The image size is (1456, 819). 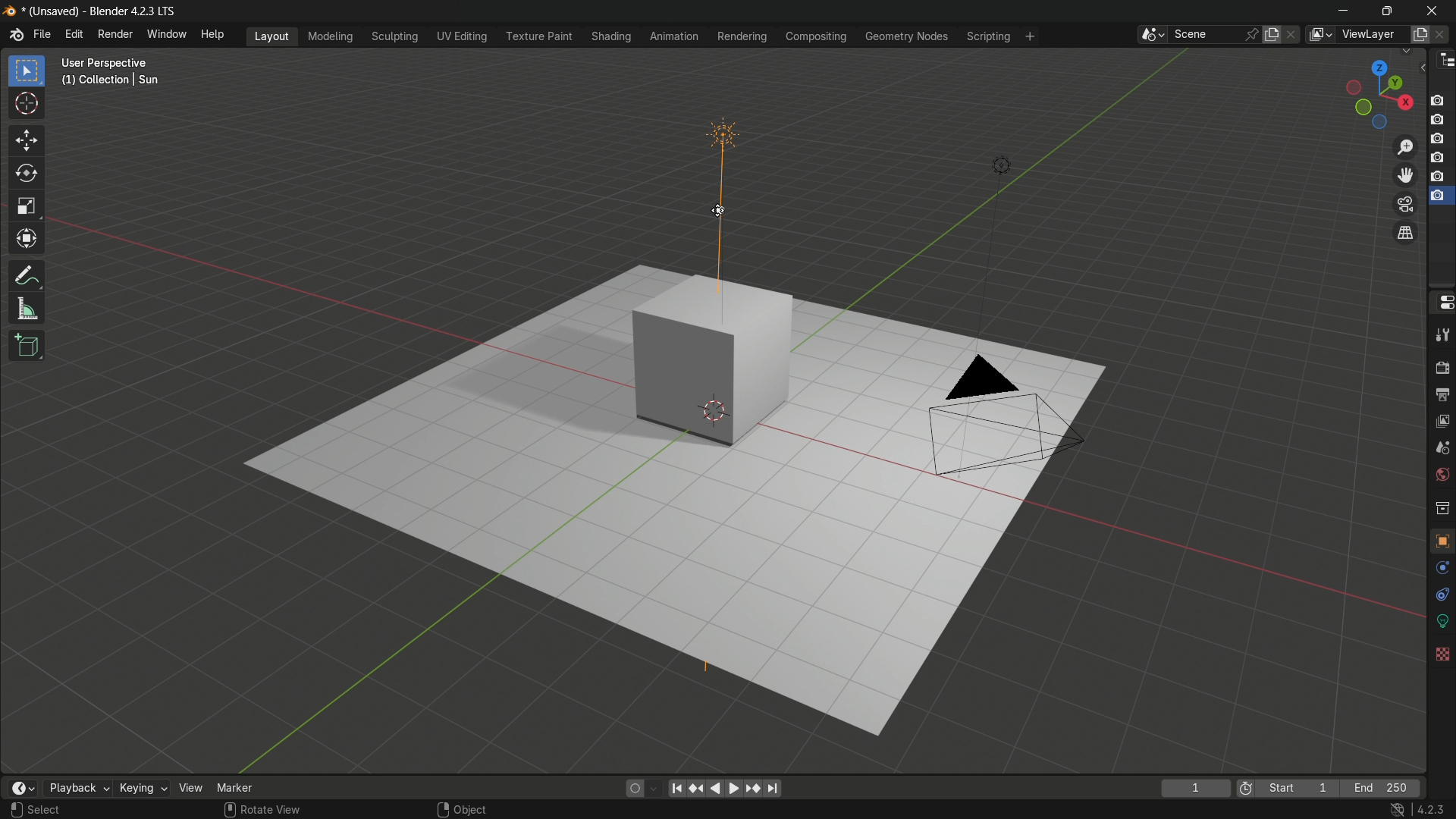 I want to click on playback, so click(x=75, y=788).